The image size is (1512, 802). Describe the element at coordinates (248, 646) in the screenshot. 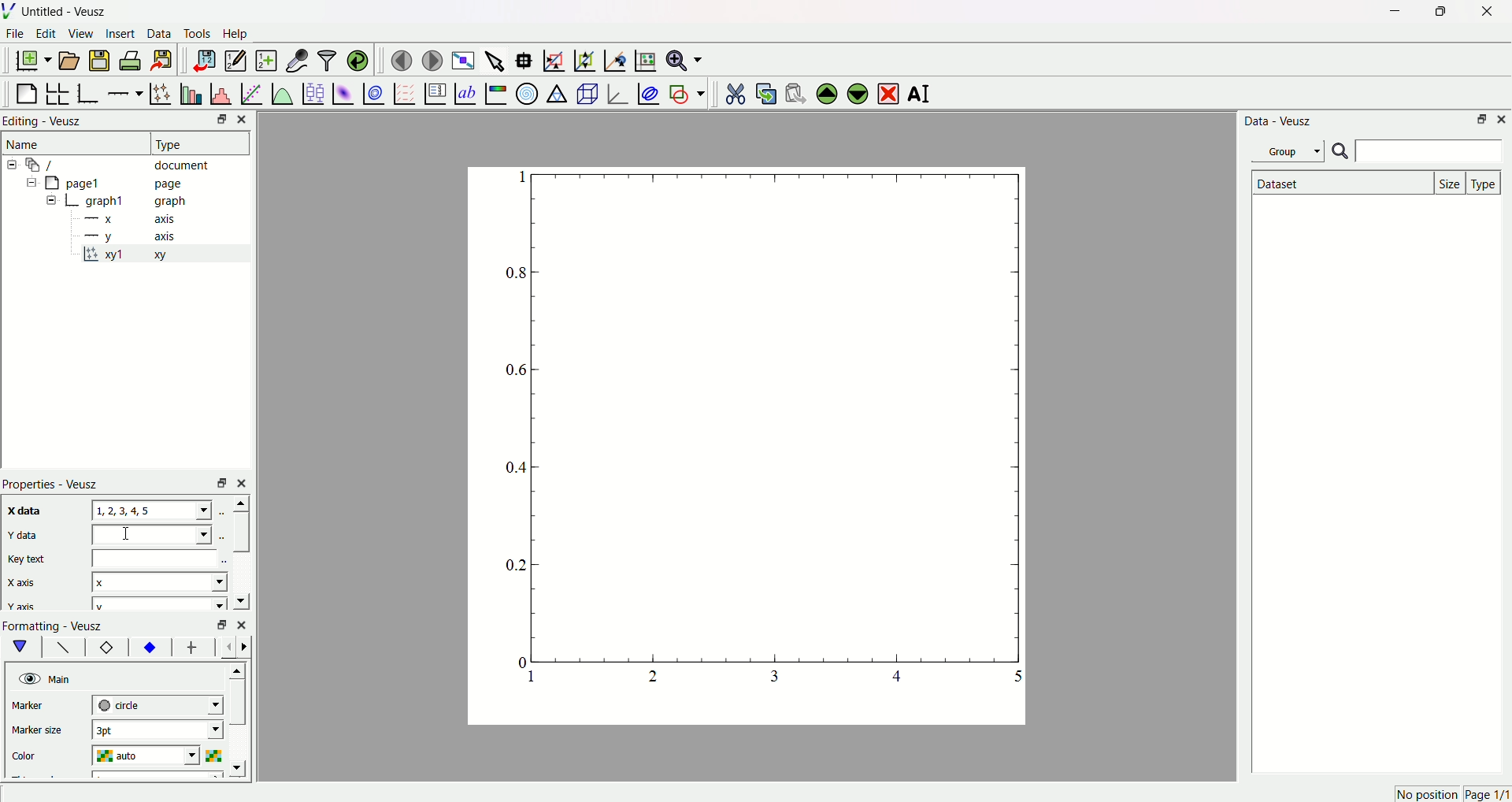

I see `move right` at that location.